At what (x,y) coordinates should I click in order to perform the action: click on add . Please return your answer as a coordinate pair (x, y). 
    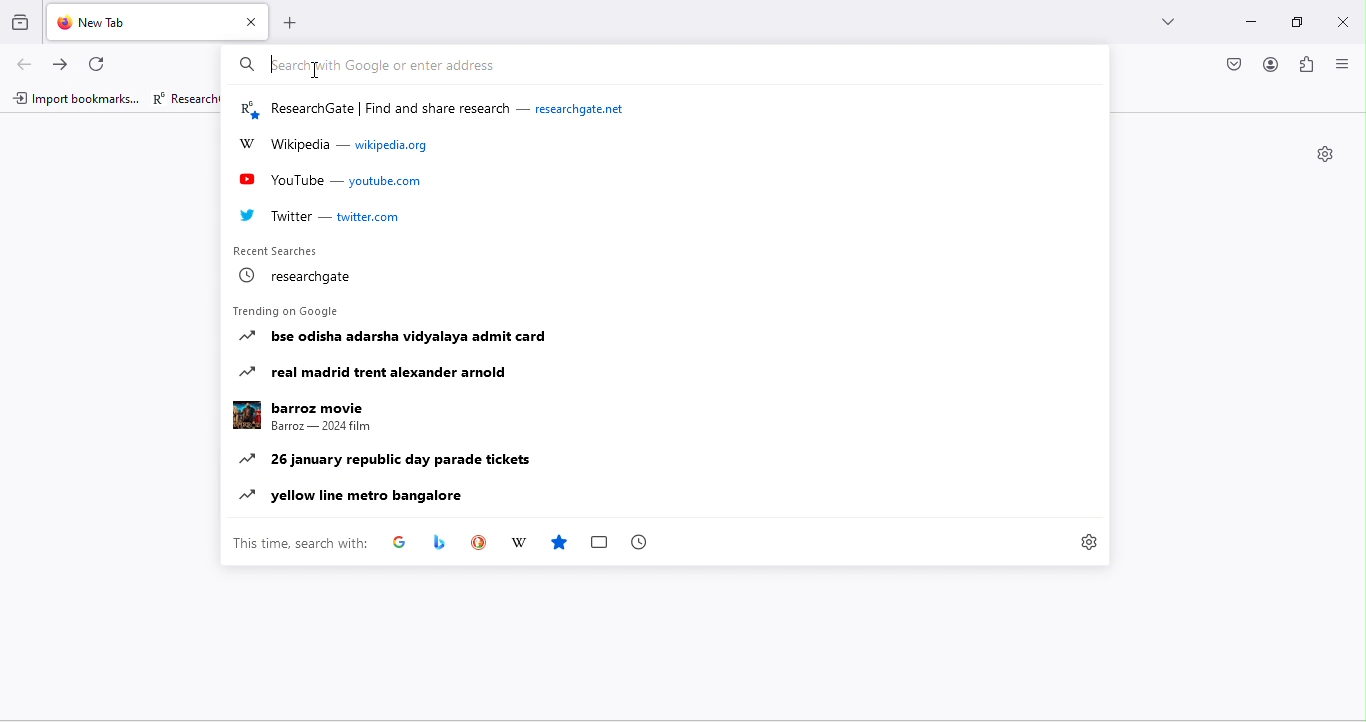
    Looking at the image, I should click on (291, 21).